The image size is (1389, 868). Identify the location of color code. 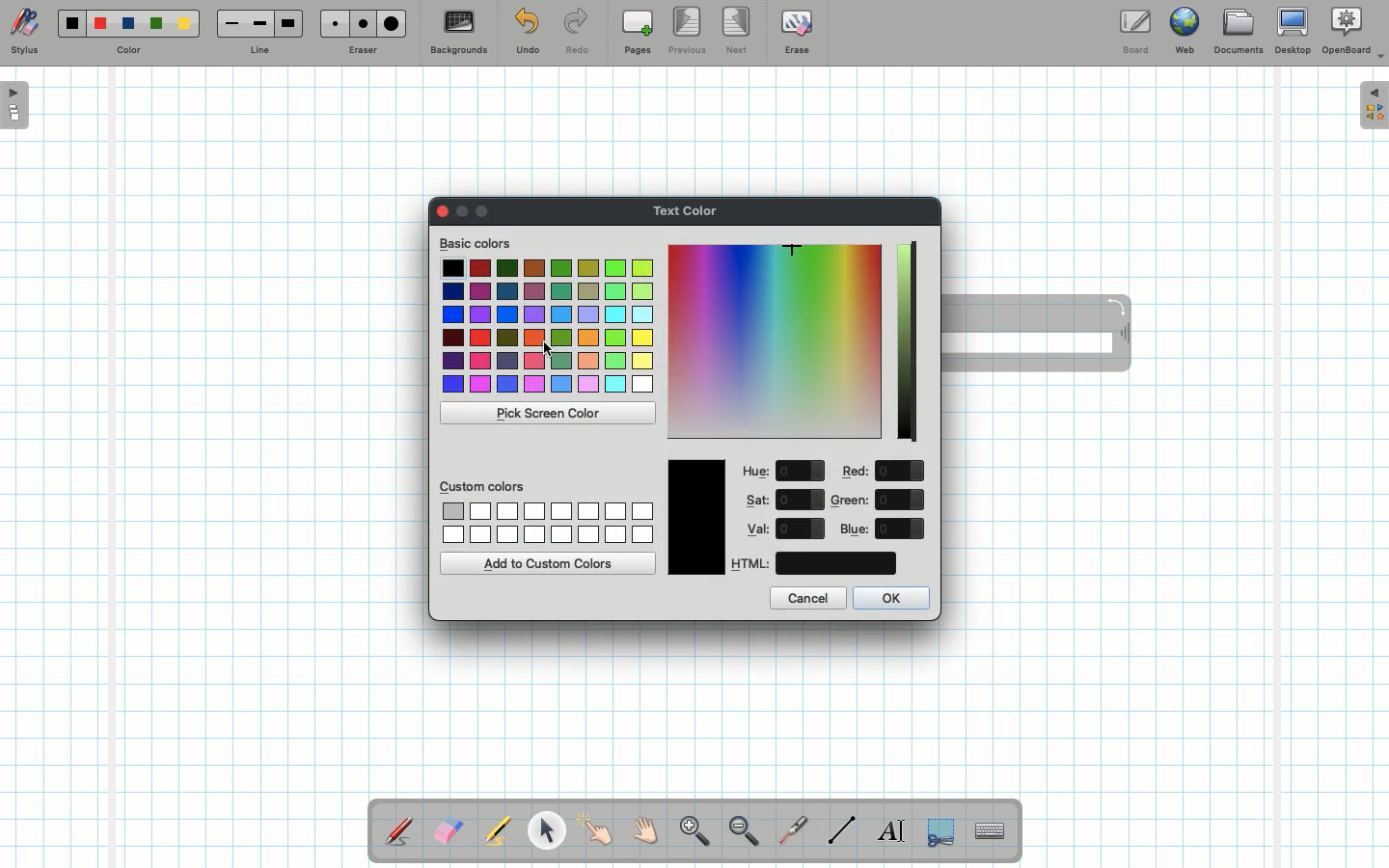
(834, 563).